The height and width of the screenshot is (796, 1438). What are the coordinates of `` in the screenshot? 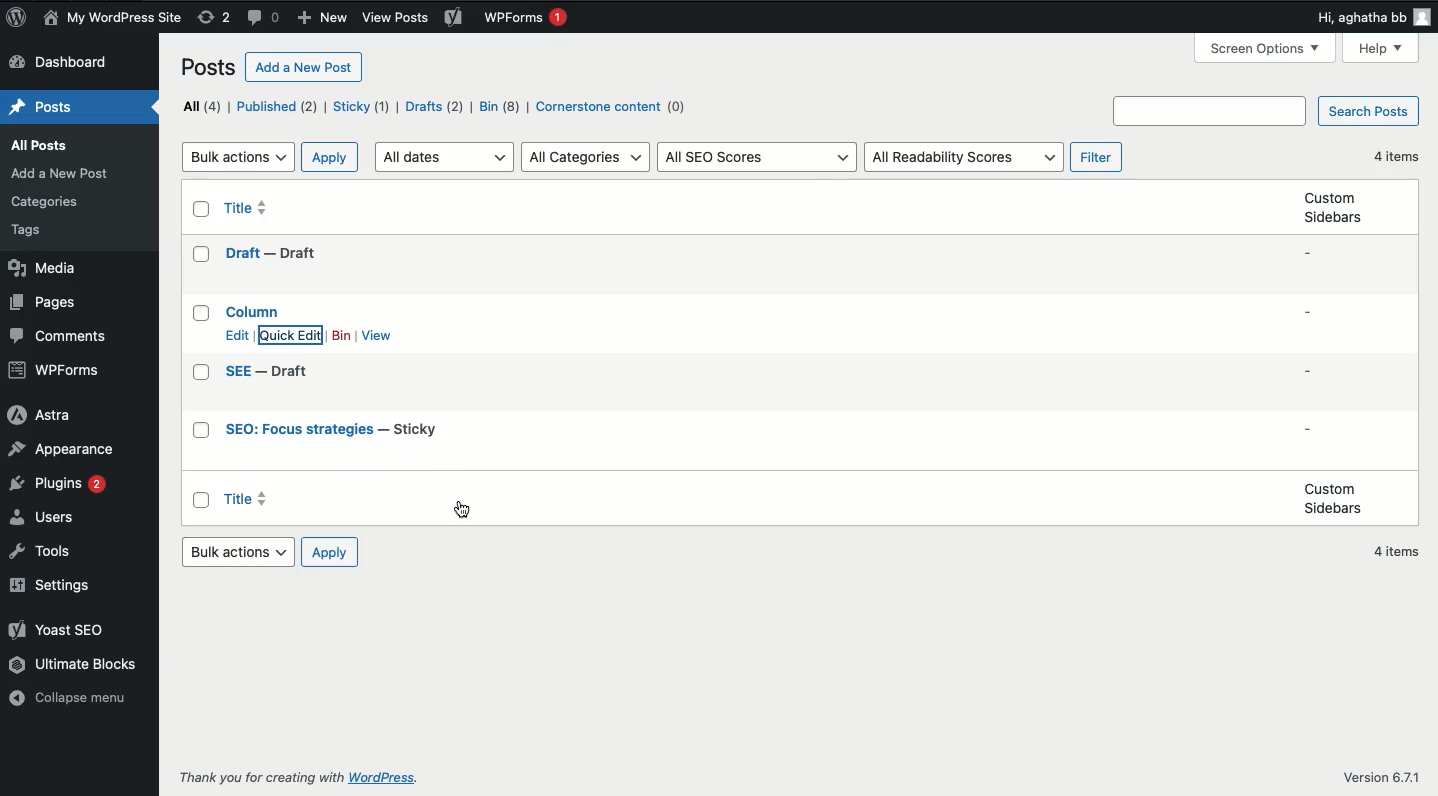 It's located at (1208, 111).